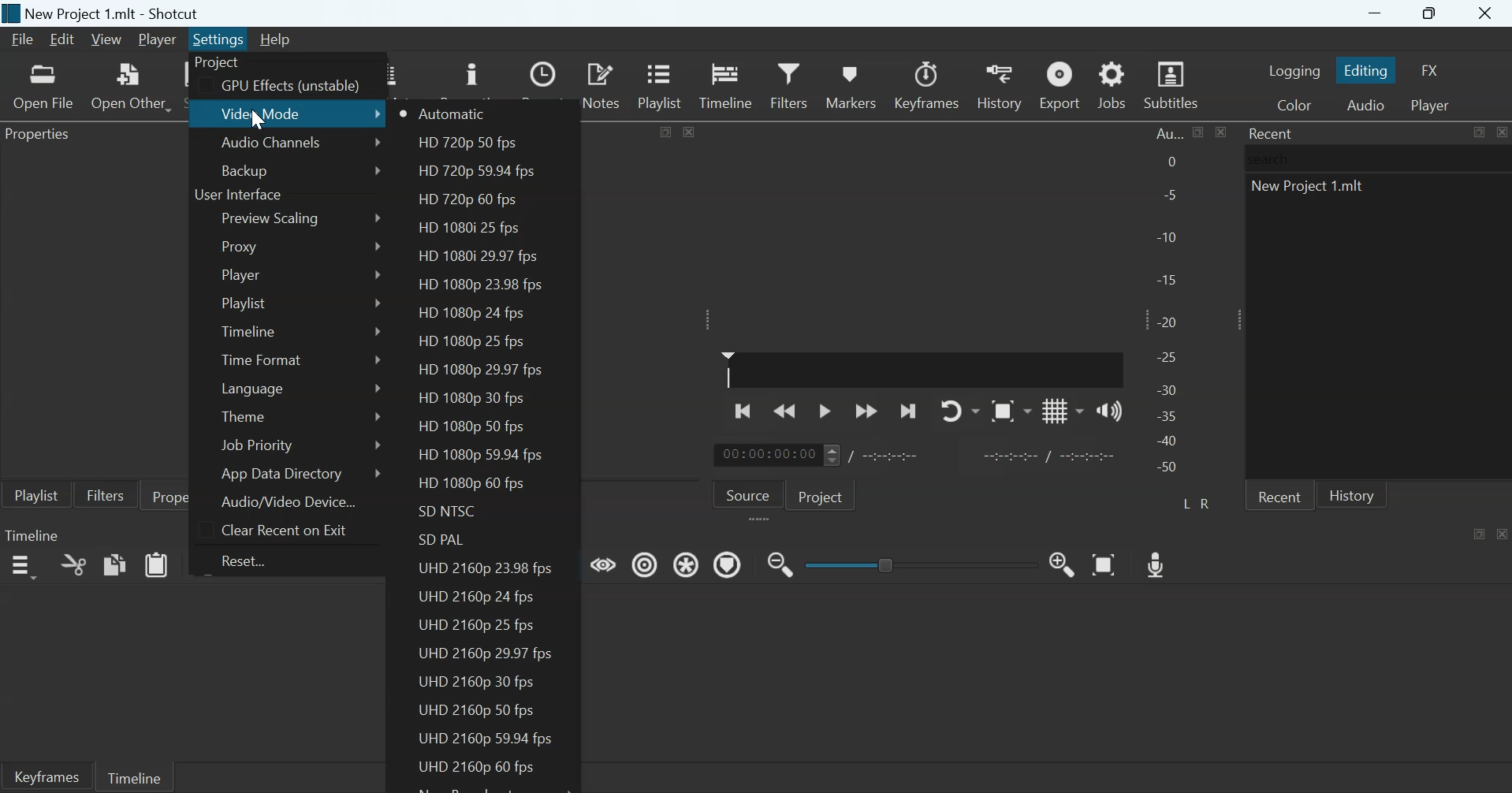 This screenshot has height=793, width=1512. I want to click on Left, so click(1188, 502).